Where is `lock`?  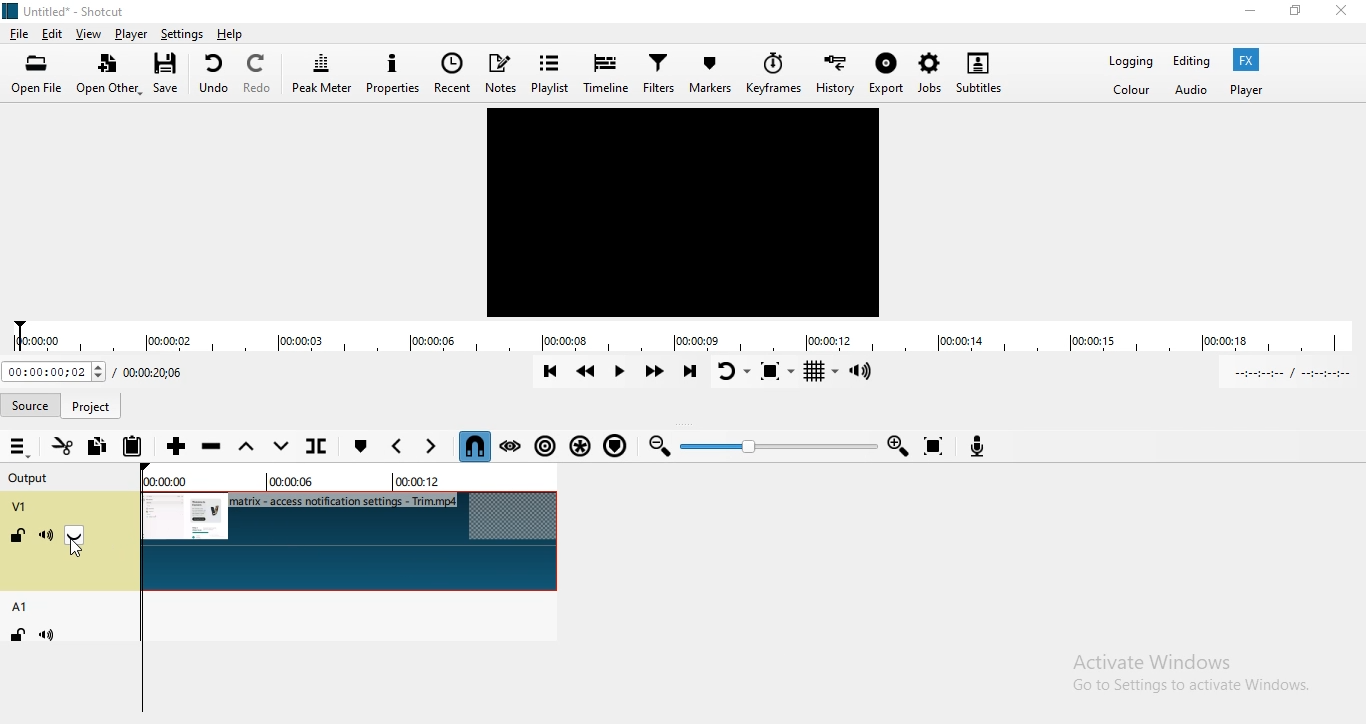
lock is located at coordinates (15, 636).